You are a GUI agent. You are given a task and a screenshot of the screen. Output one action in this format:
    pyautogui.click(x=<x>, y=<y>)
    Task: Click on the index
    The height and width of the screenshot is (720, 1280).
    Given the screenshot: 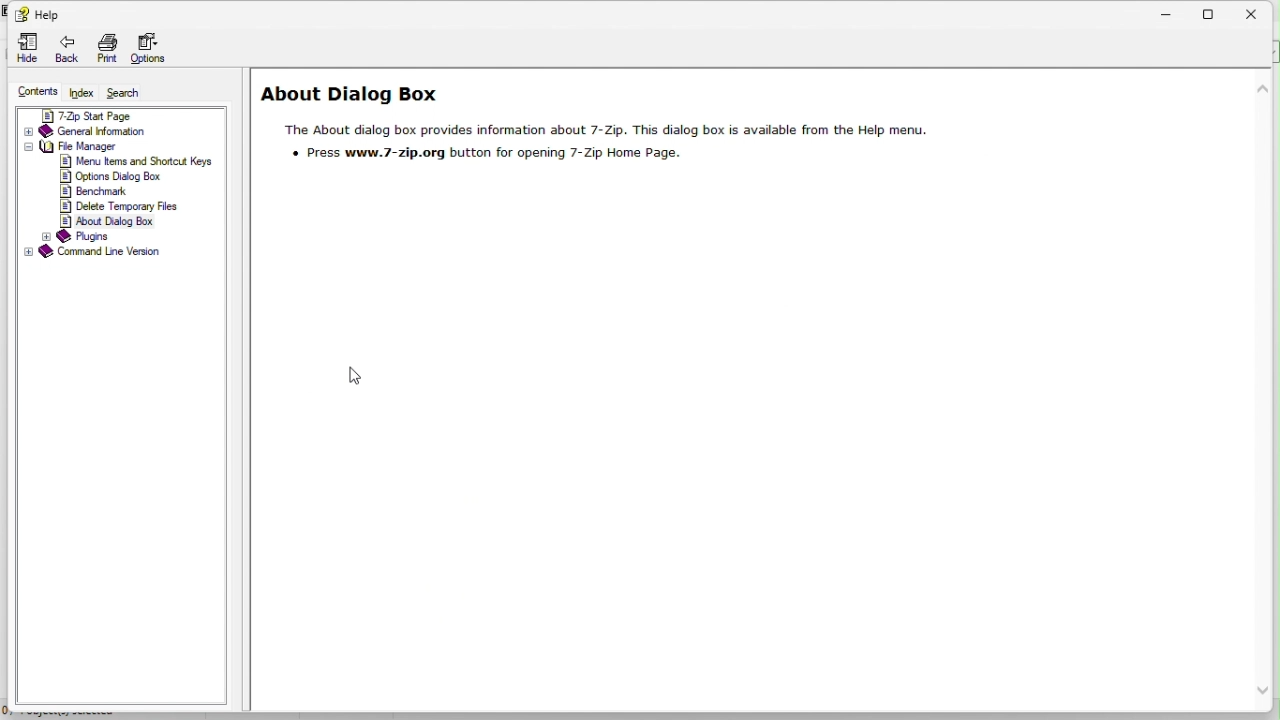 What is the action you would take?
    pyautogui.click(x=79, y=87)
    